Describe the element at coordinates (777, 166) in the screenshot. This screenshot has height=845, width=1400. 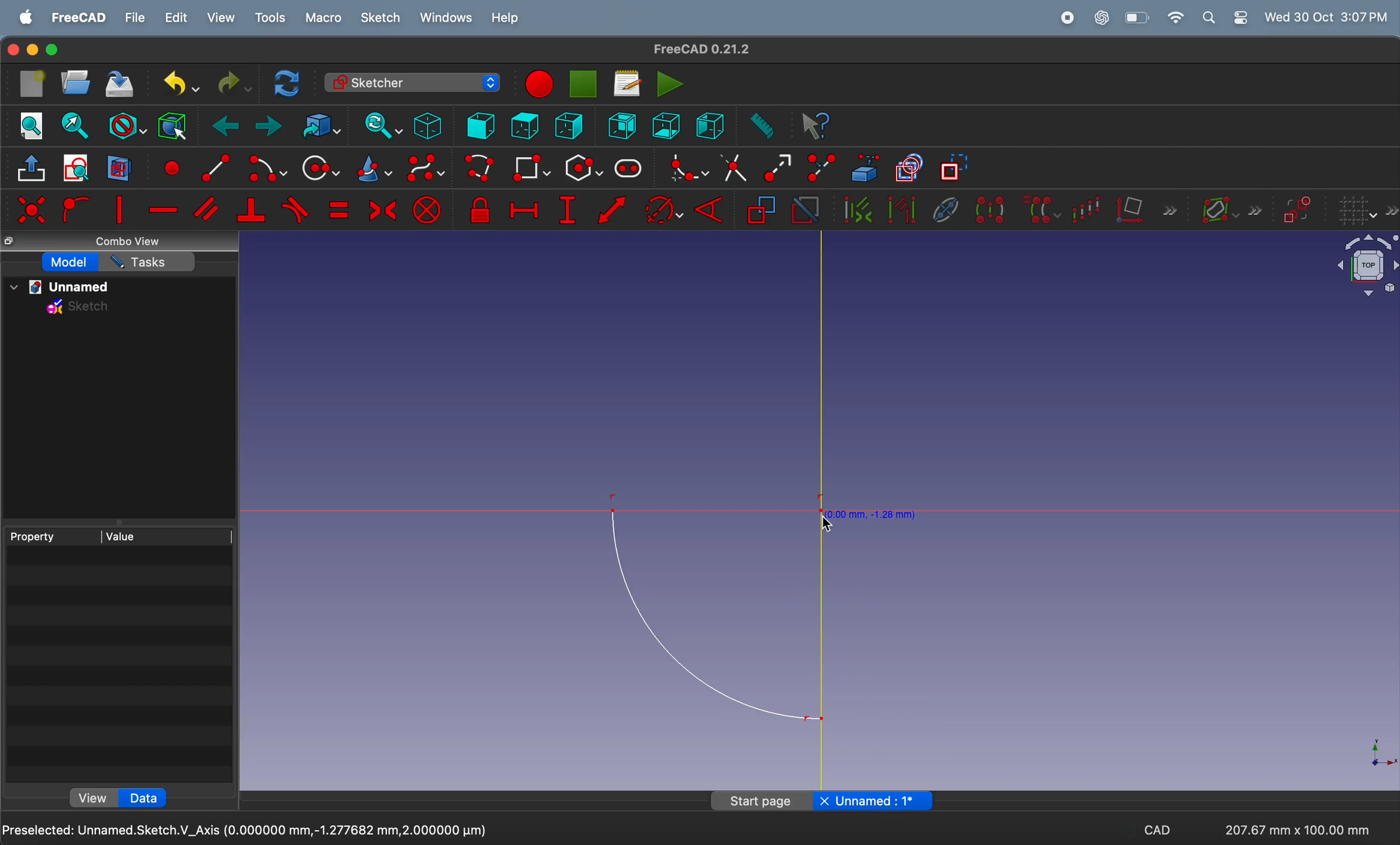
I see `extend edge` at that location.